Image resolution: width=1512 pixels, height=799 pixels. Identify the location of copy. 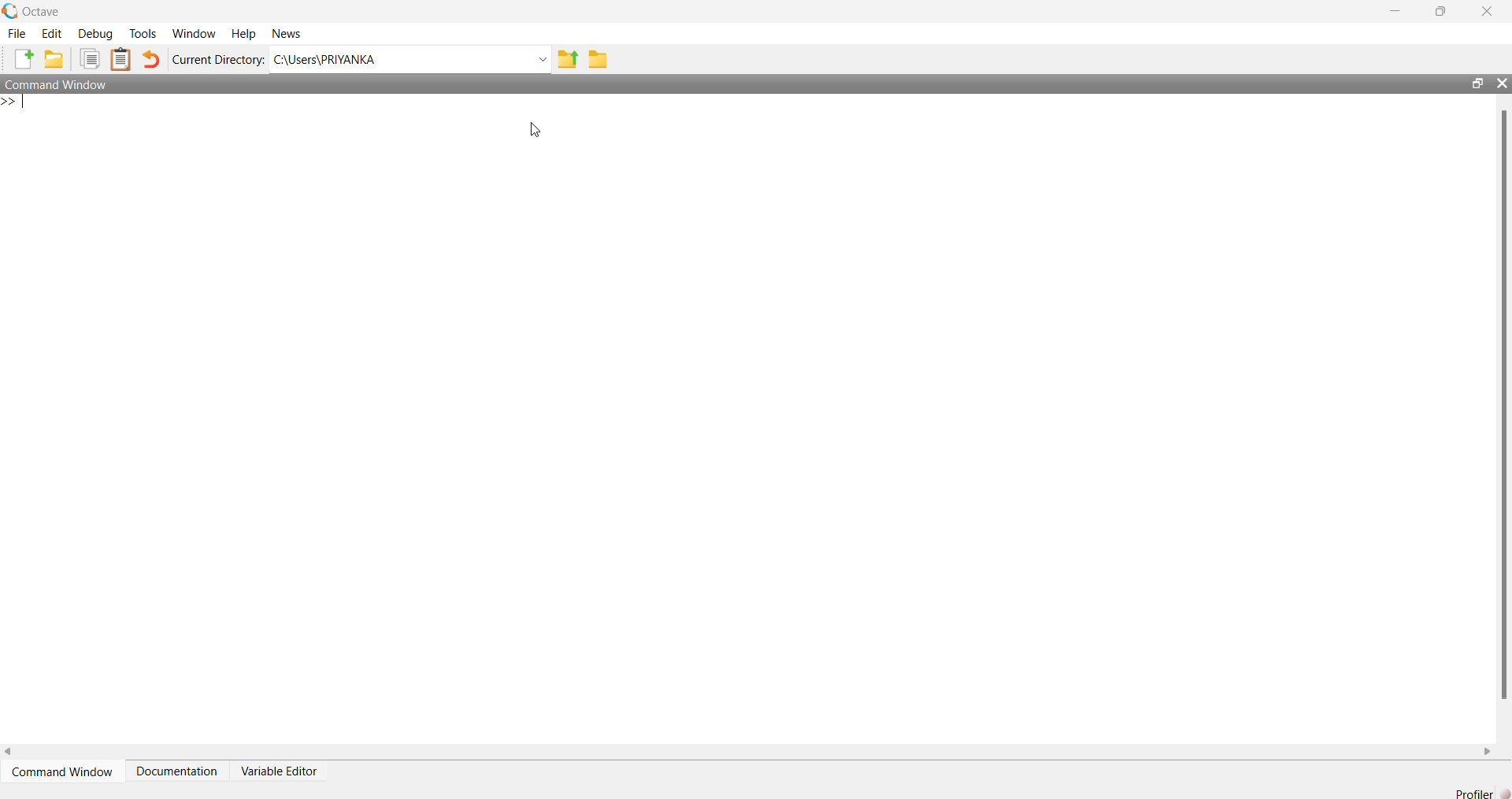
(91, 59).